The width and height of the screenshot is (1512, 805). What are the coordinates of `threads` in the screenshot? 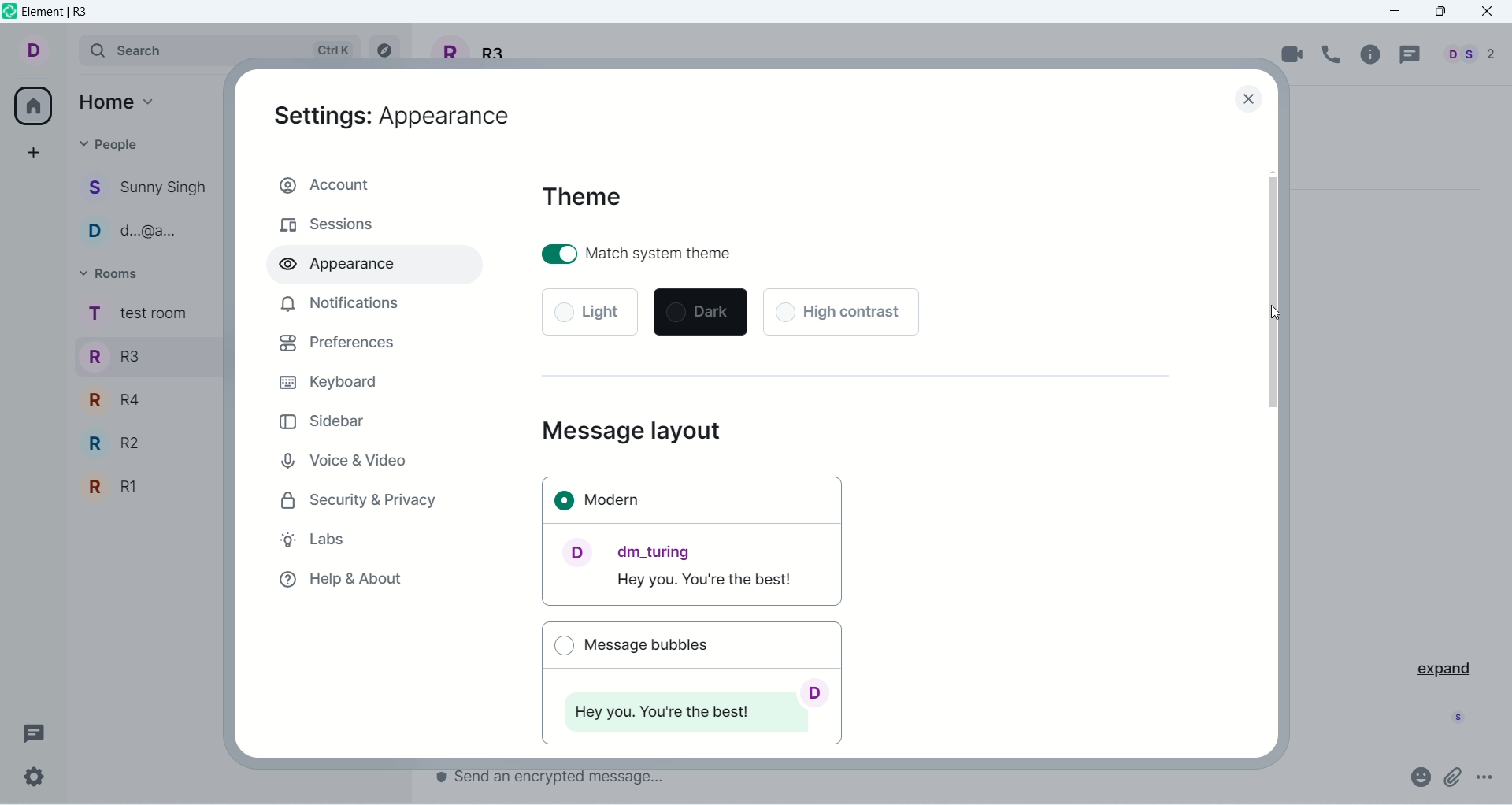 It's located at (34, 730).